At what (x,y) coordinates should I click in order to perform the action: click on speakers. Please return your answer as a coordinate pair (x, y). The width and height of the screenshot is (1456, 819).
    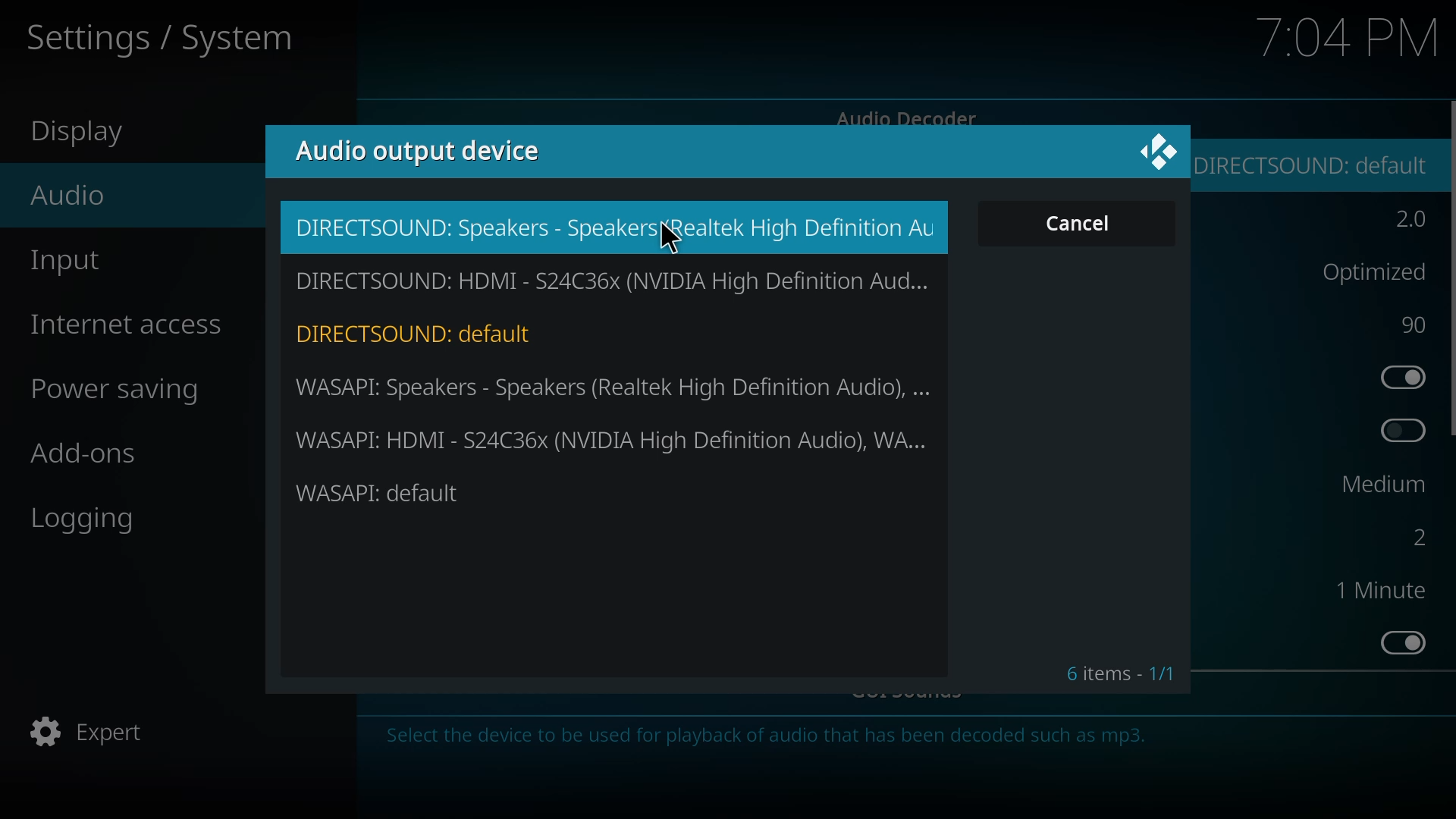
    Looking at the image, I should click on (613, 227).